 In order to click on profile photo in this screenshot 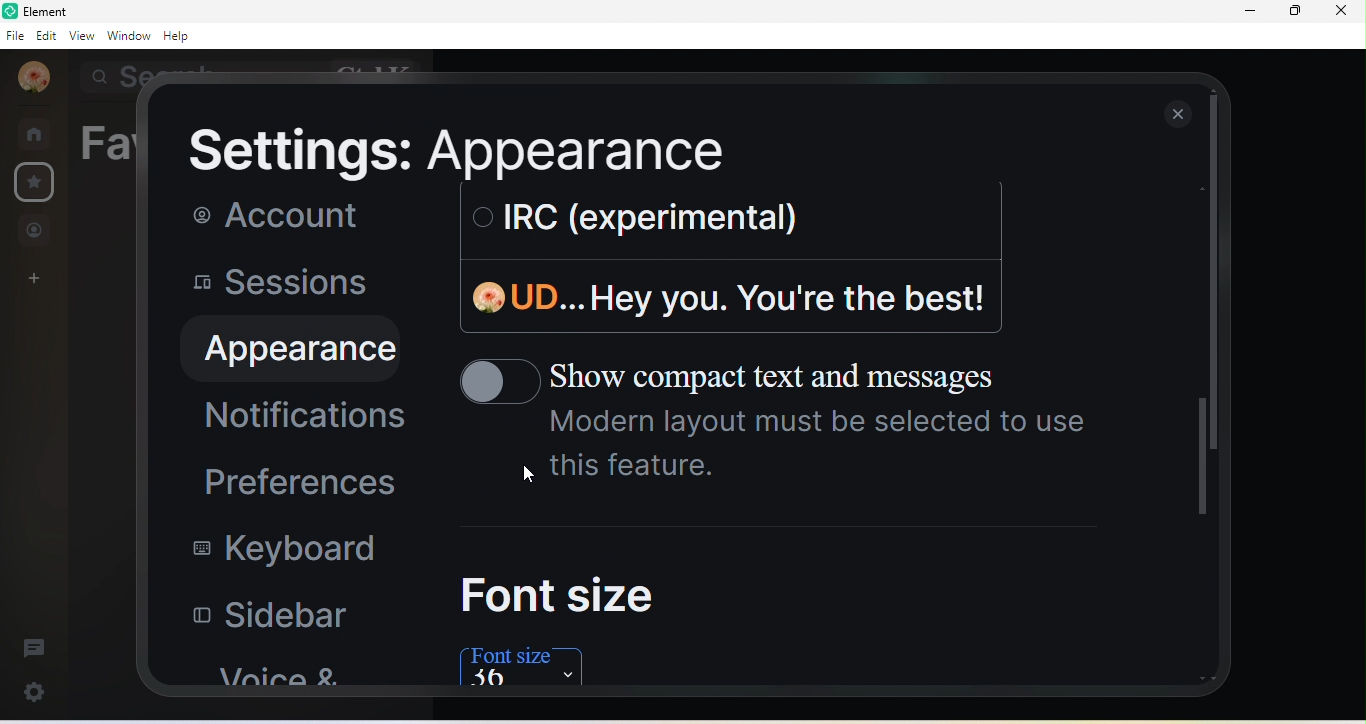, I will do `click(34, 78)`.